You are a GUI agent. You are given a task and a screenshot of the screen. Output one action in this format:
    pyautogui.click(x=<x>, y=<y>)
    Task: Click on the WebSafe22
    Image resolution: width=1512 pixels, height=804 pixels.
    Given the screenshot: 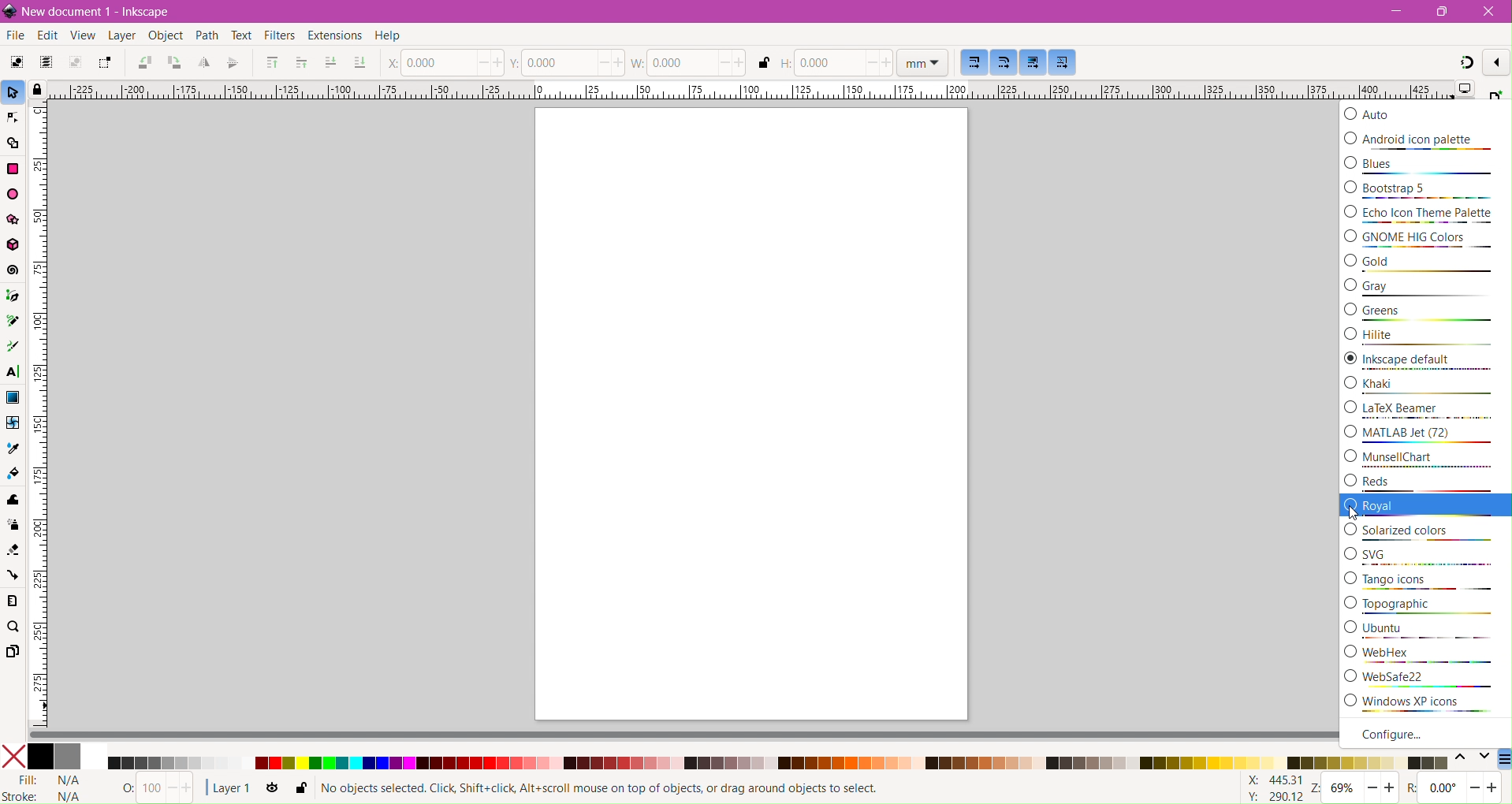 What is the action you would take?
    pyautogui.click(x=1426, y=680)
    